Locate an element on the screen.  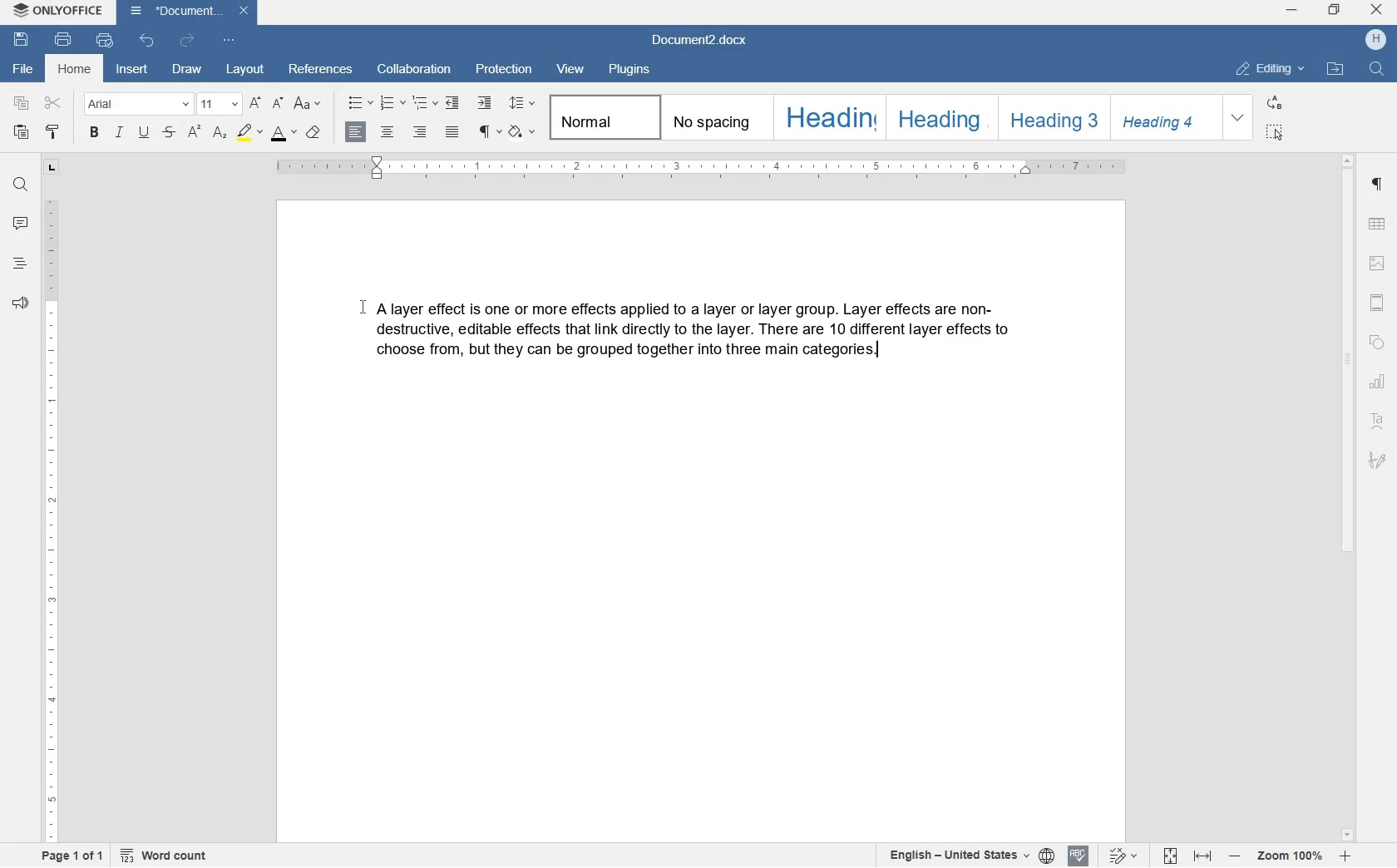
protection is located at coordinates (501, 71).